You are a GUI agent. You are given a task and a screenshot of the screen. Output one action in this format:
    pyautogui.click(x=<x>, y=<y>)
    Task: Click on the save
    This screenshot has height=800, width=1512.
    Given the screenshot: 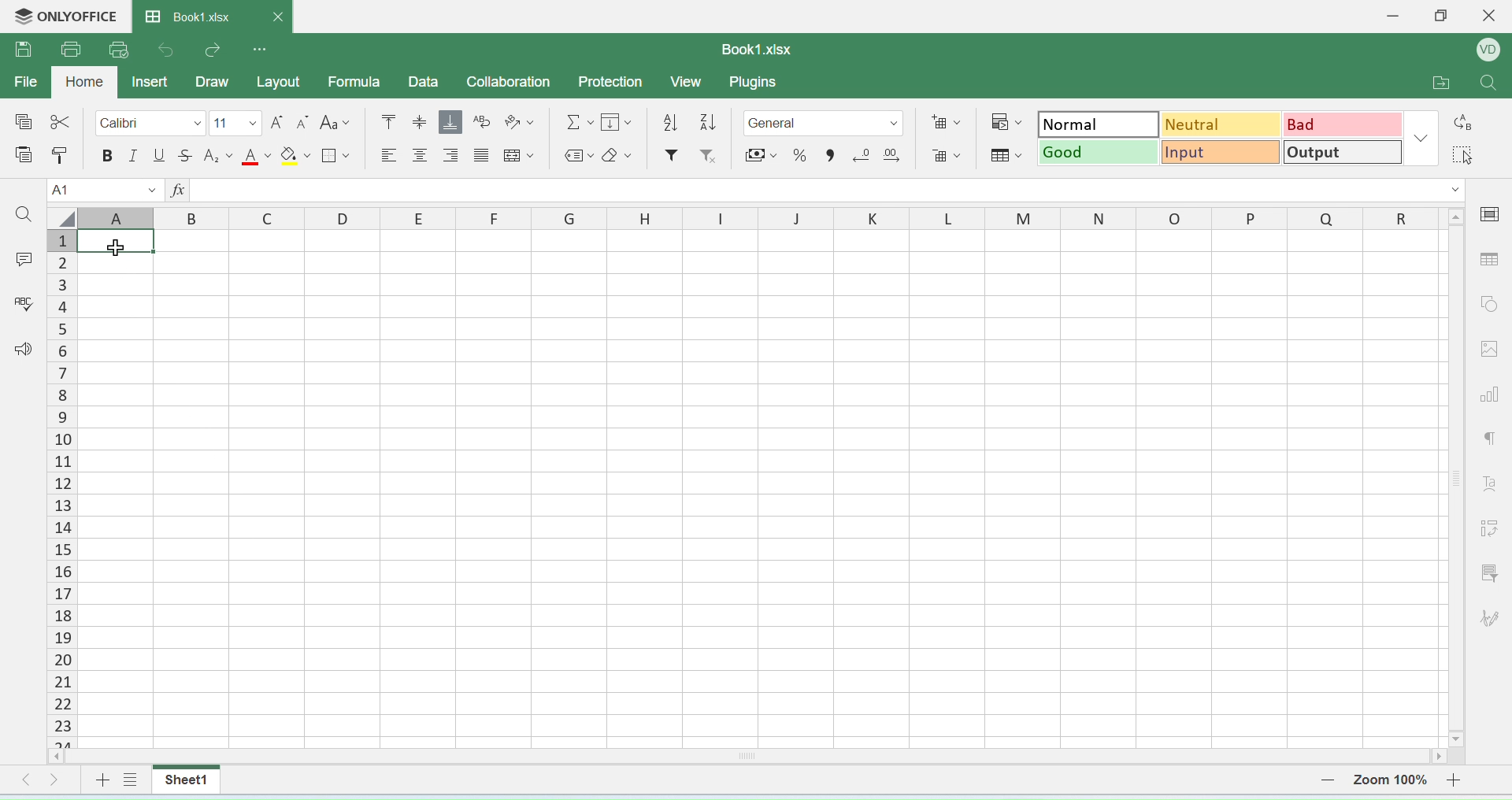 What is the action you would take?
    pyautogui.click(x=26, y=50)
    